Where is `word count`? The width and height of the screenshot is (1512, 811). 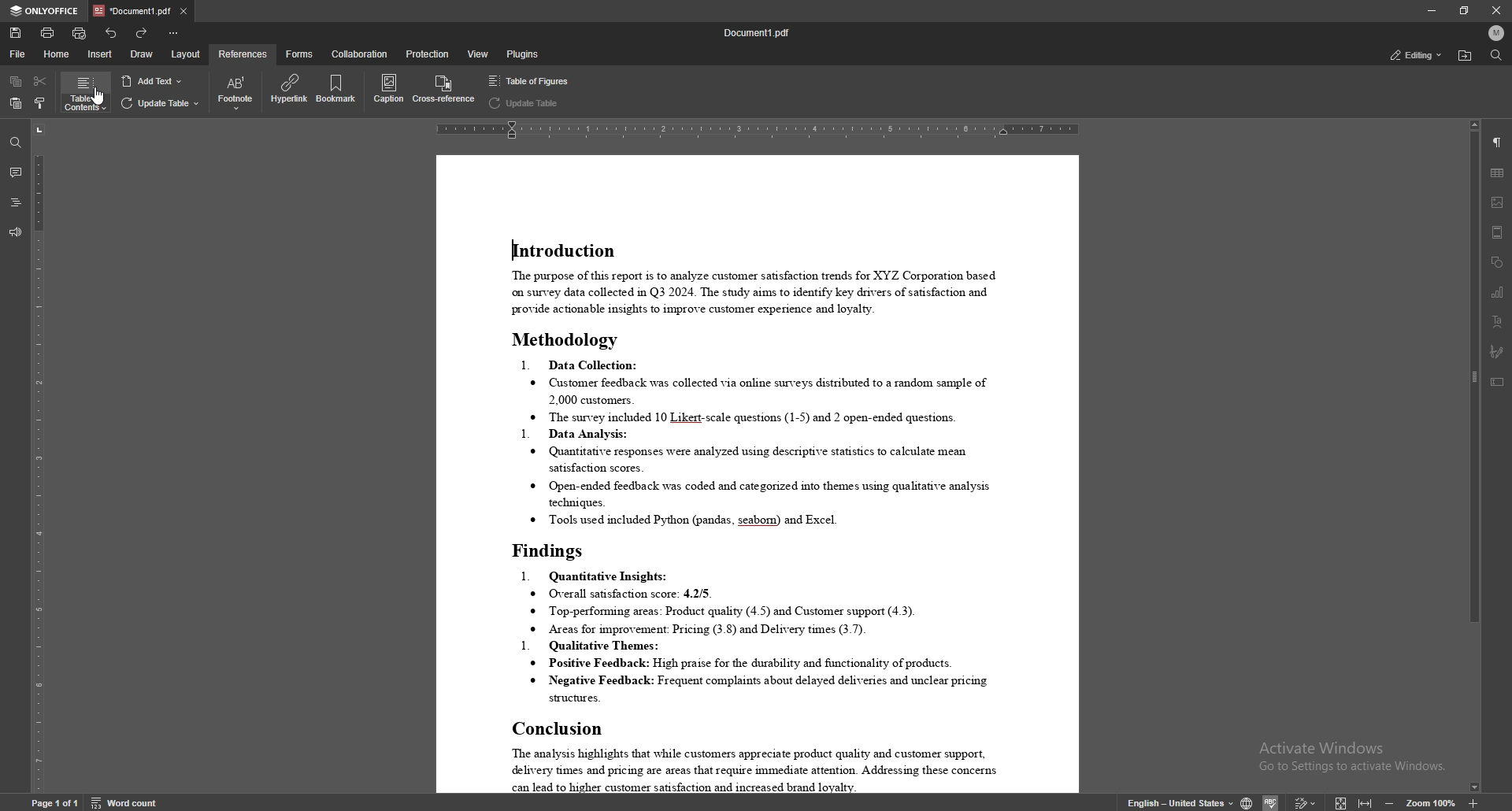
word count is located at coordinates (125, 802).